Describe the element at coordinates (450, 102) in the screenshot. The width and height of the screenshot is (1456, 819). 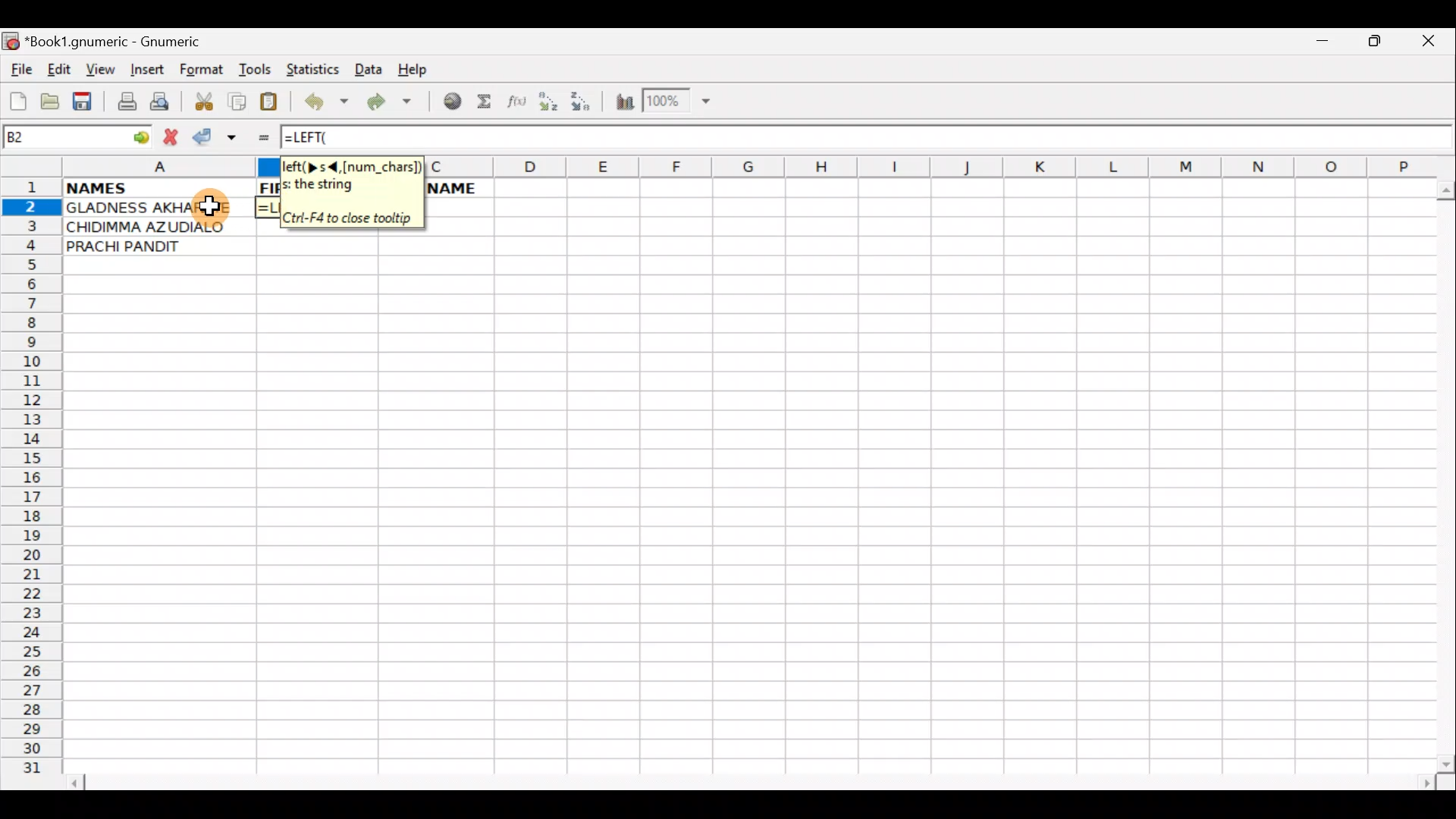
I see `Insert hyperlink` at that location.